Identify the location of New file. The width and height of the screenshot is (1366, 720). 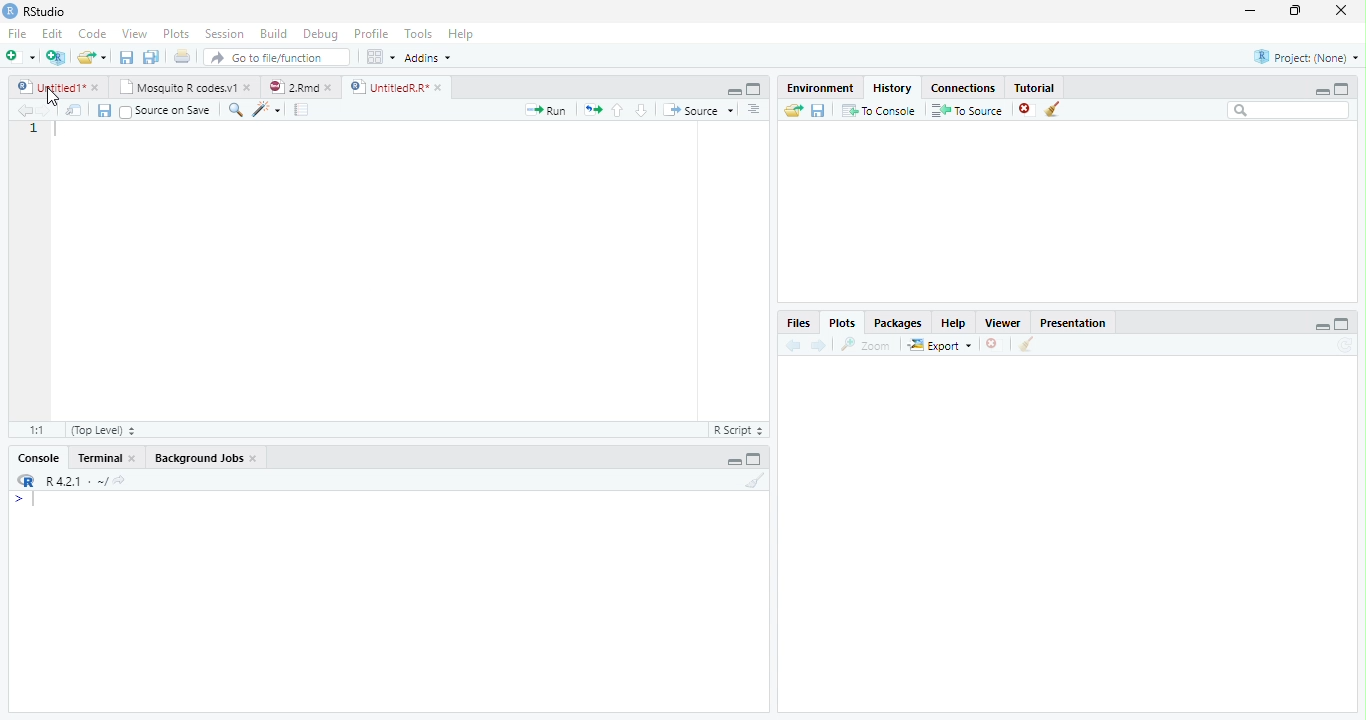
(20, 57).